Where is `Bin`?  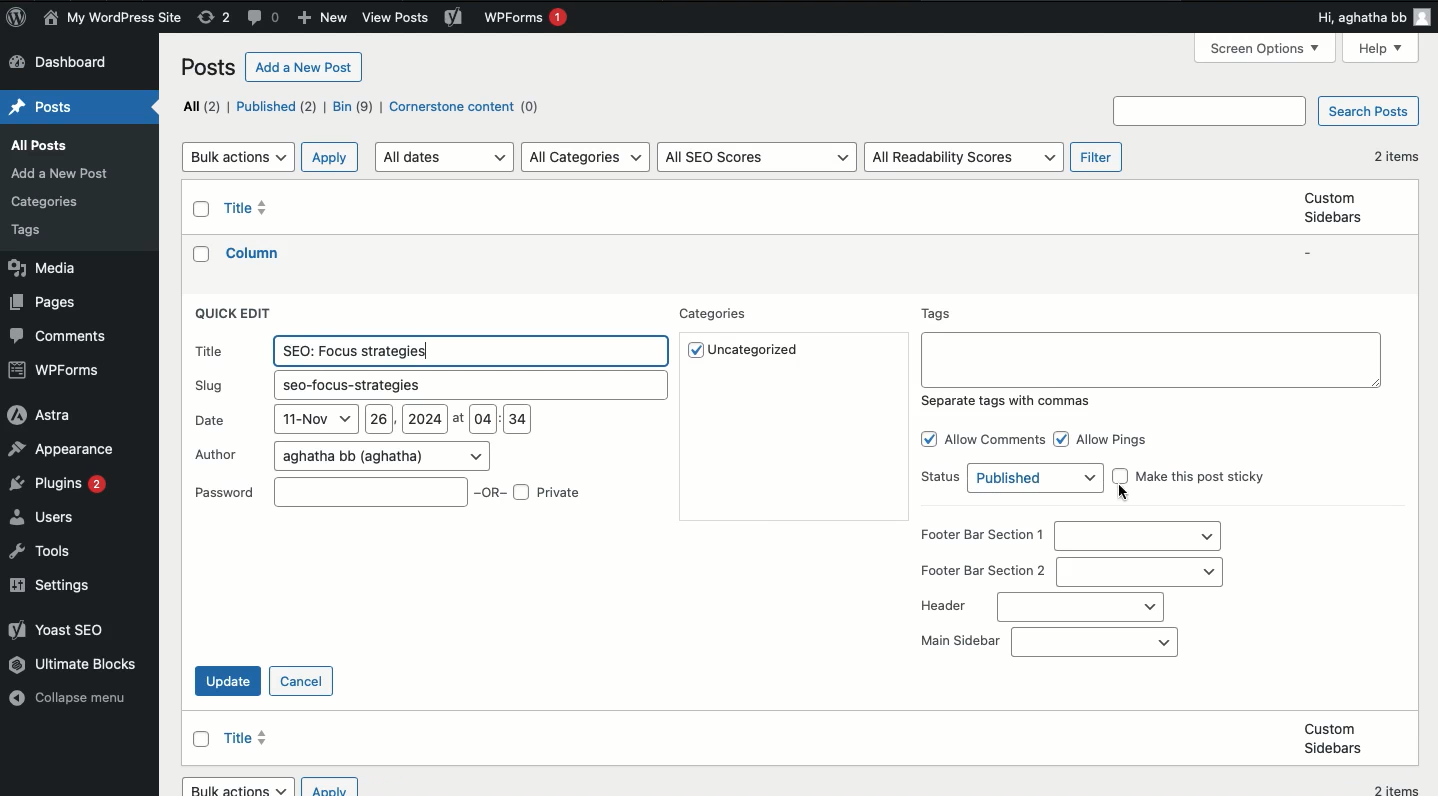 Bin is located at coordinates (353, 106).